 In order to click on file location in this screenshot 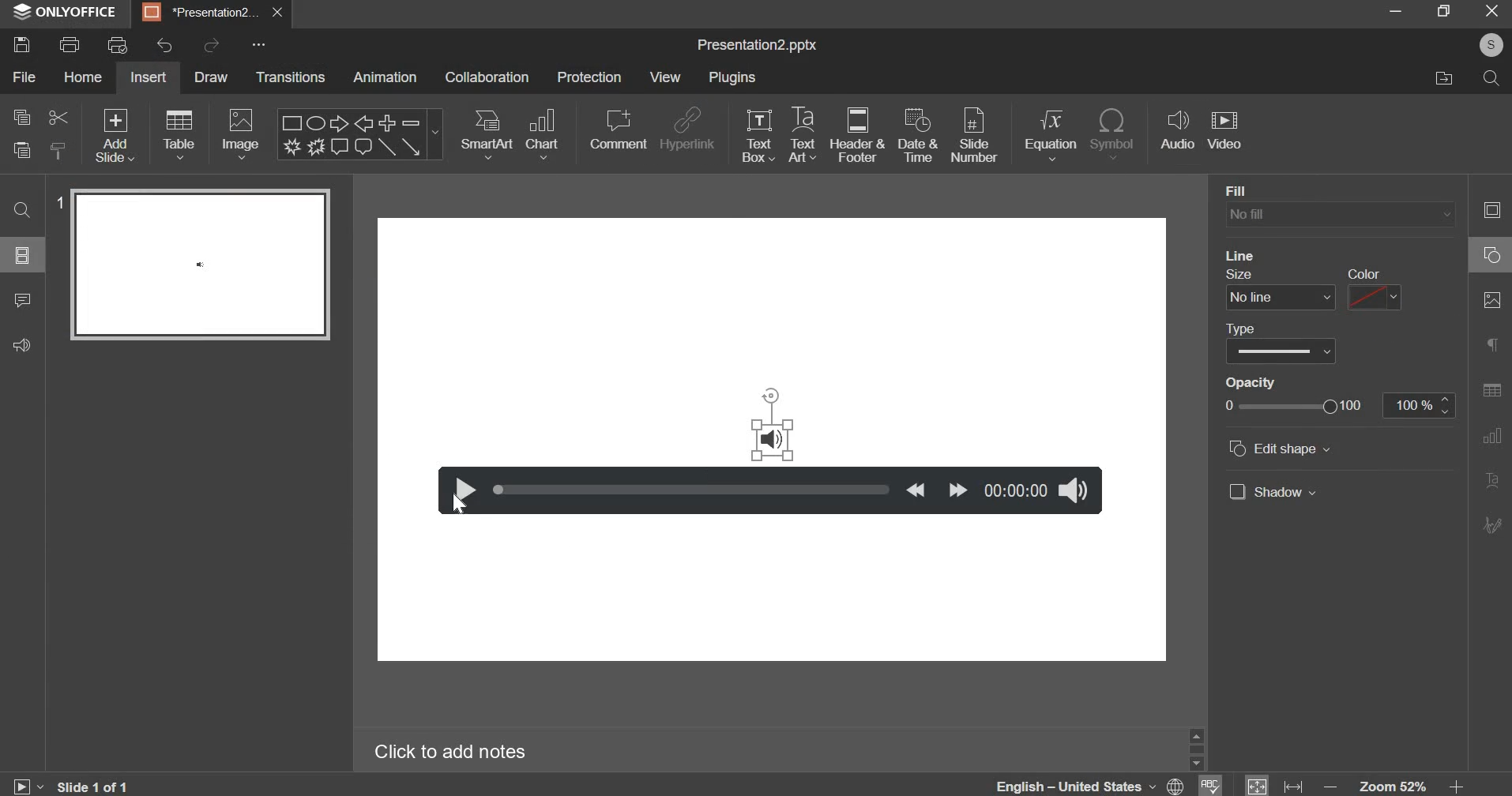, I will do `click(1452, 81)`.